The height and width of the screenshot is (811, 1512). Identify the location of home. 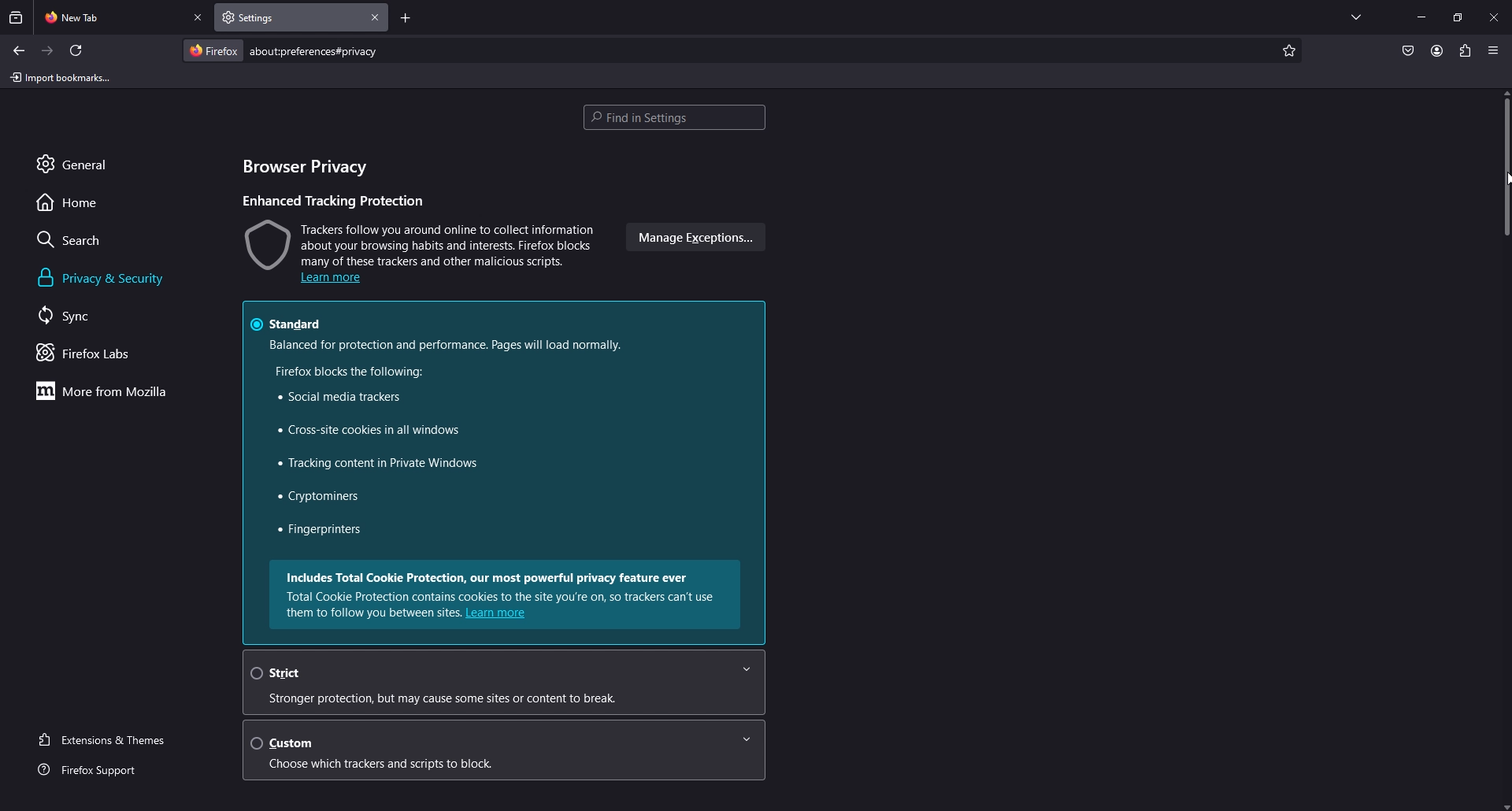
(81, 202).